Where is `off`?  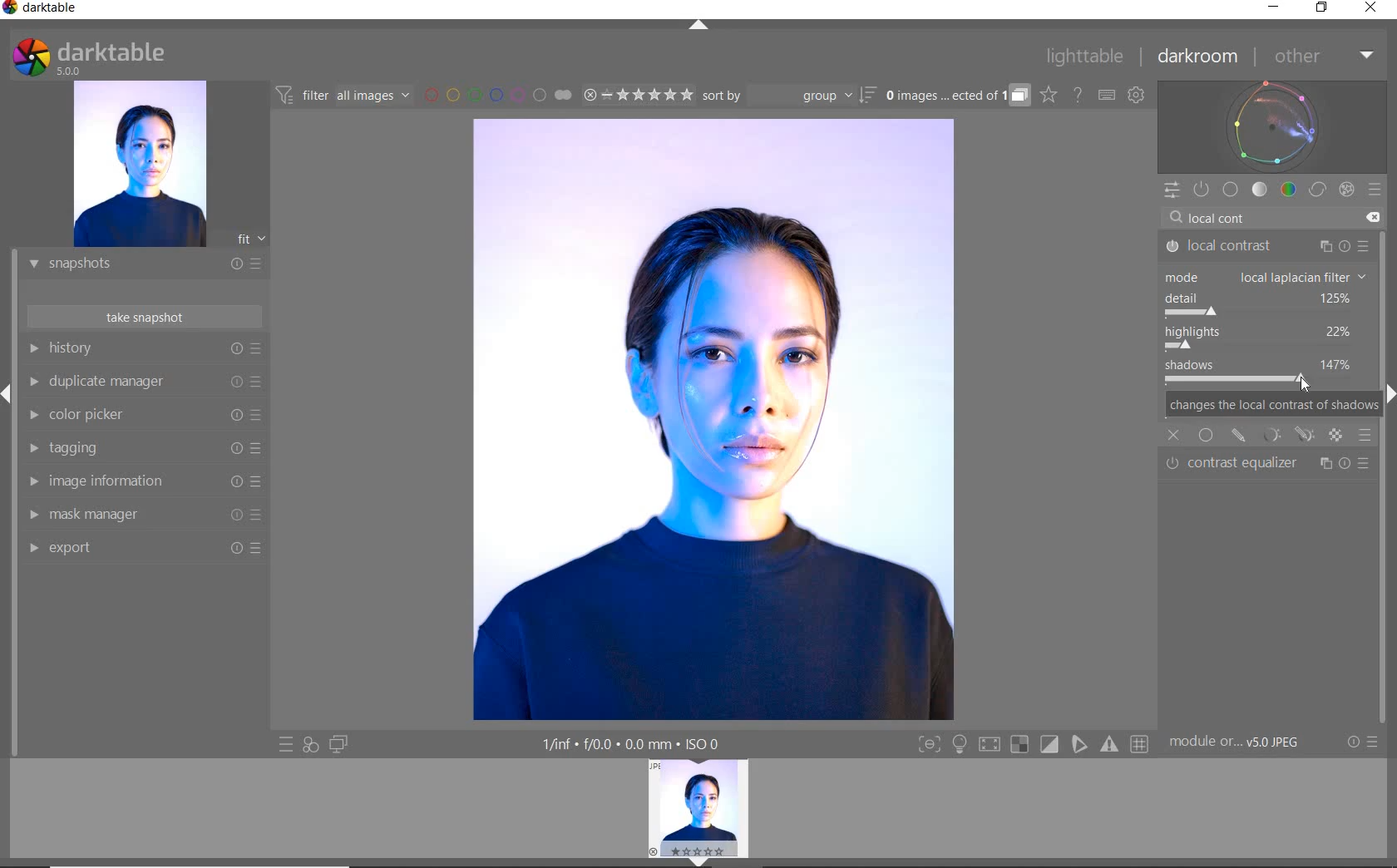
off is located at coordinates (1174, 433).